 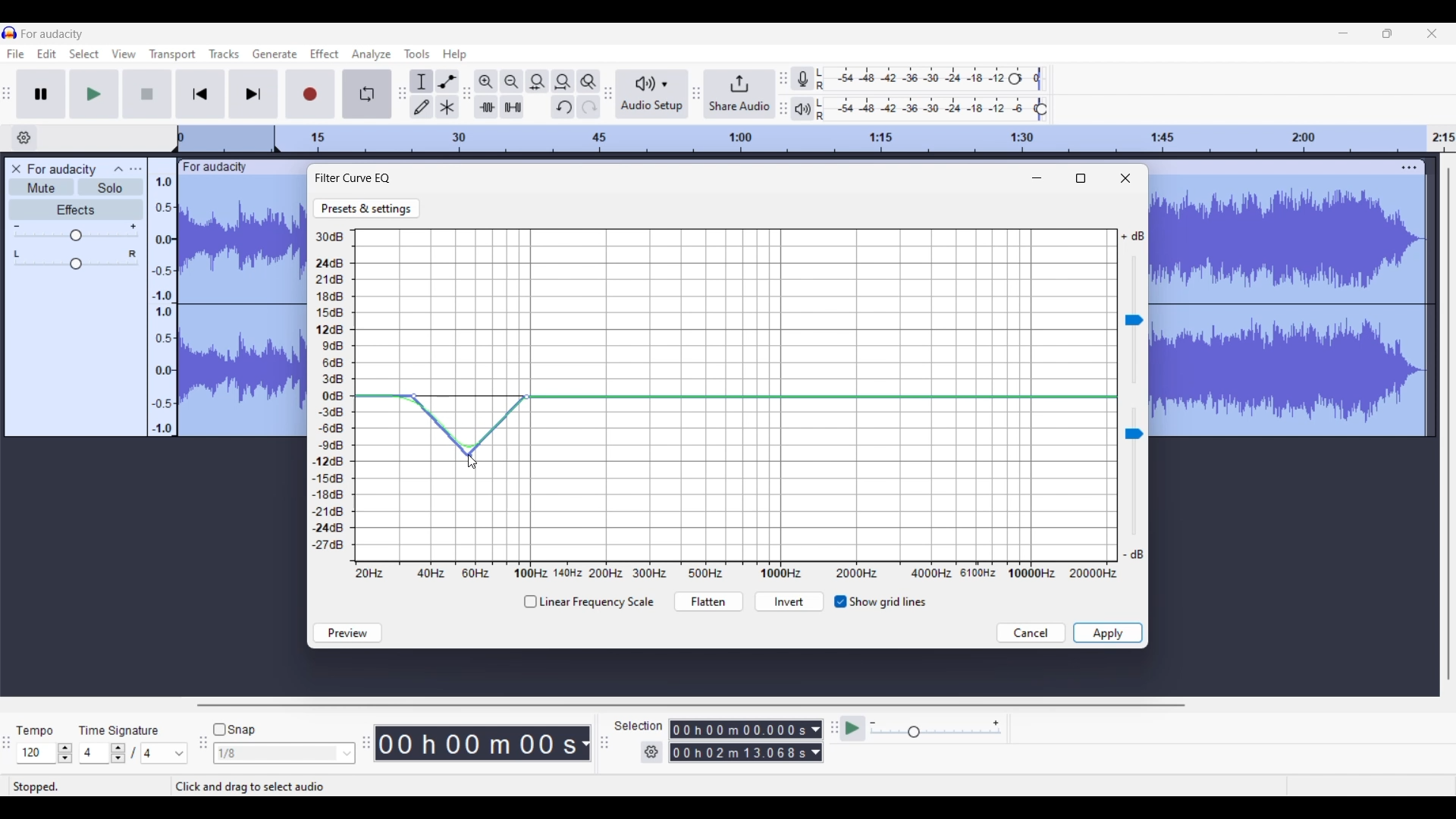 What do you see at coordinates (588, 106) in the screenshot?
I see `Redo` at bounding box center [588, 106].